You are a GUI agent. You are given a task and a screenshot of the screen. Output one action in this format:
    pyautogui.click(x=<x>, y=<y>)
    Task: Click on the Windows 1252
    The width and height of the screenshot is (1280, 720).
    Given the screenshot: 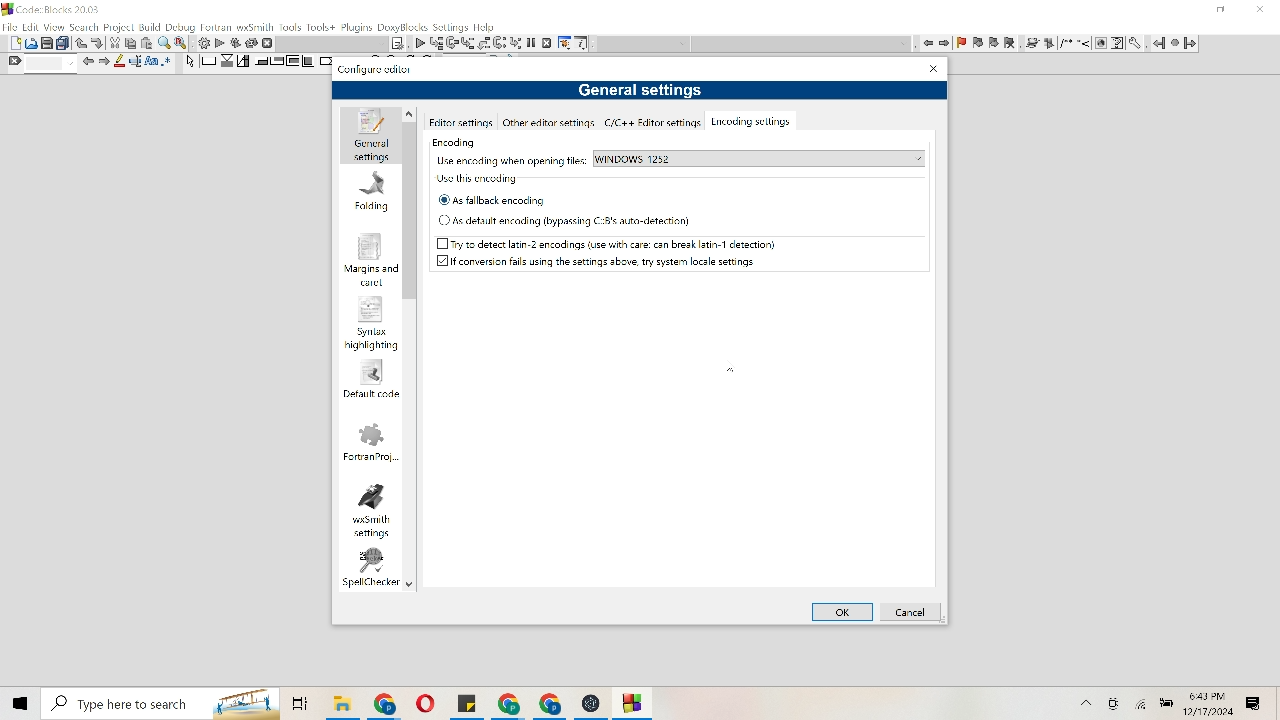 What is the action you would take?
    pyautogui.click(x=758, y=159)
    